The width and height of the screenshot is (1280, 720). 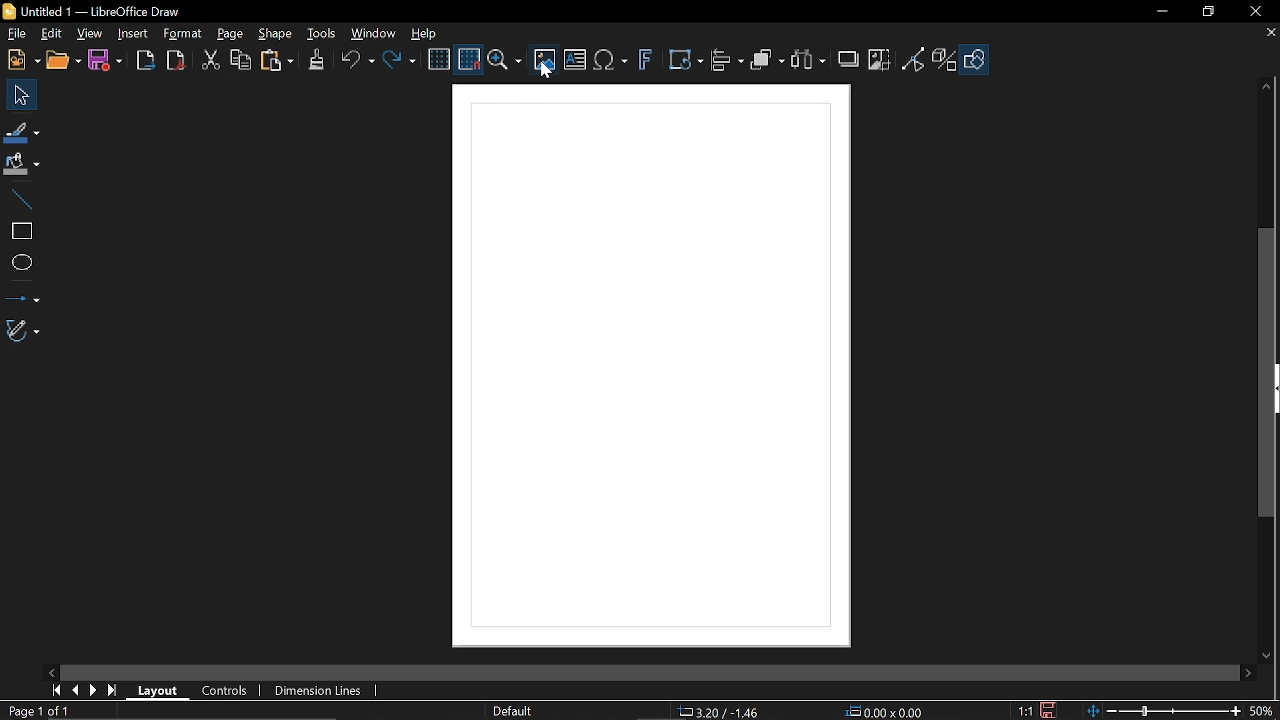 I want to click on Zoom, so click(x=1182, y=711).